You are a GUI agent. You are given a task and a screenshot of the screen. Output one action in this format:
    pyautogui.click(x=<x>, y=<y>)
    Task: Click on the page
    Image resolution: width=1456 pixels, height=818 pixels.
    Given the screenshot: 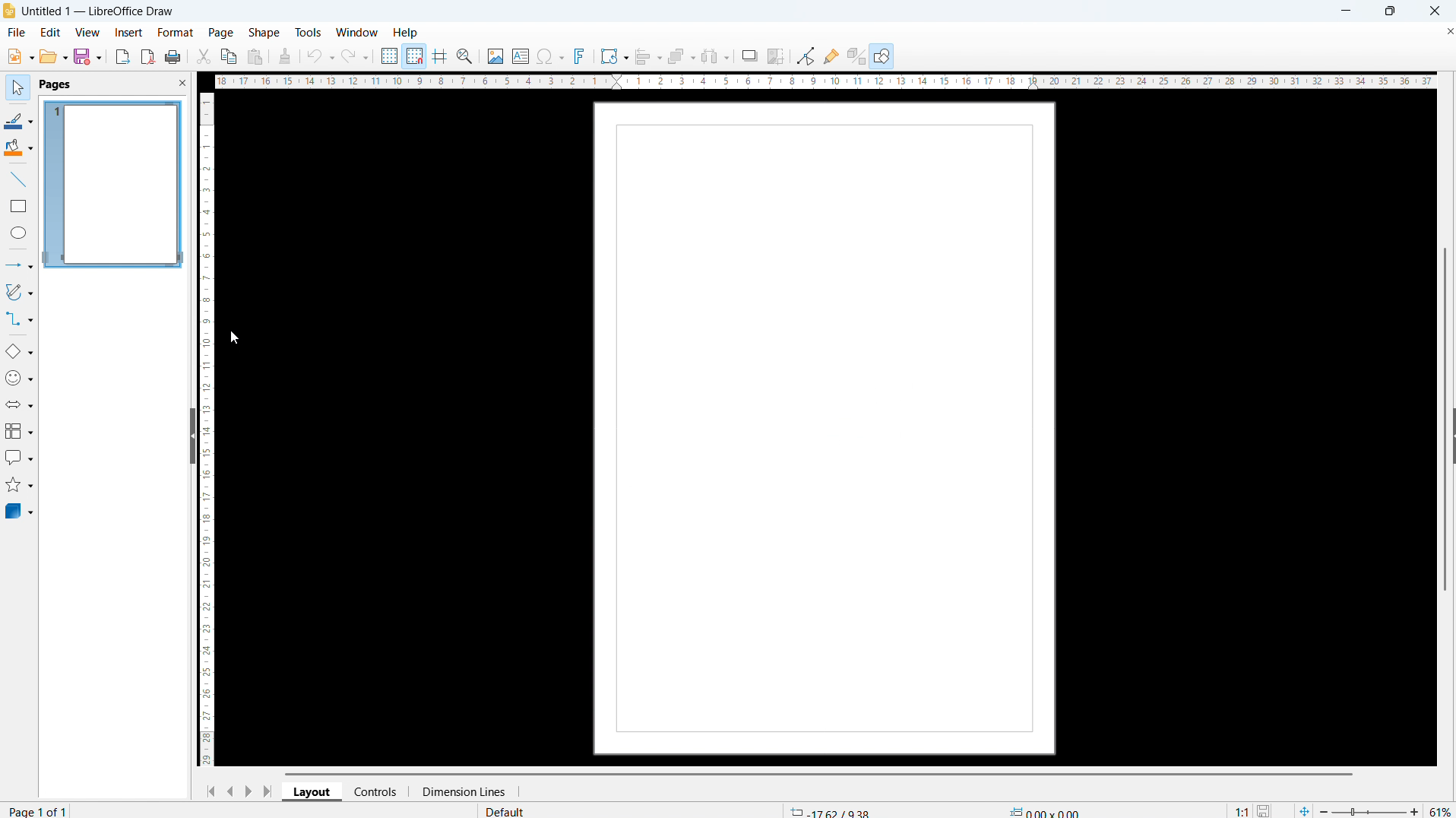 What is the action you would take?
    pyautogui.click(x=221, y=33)
    